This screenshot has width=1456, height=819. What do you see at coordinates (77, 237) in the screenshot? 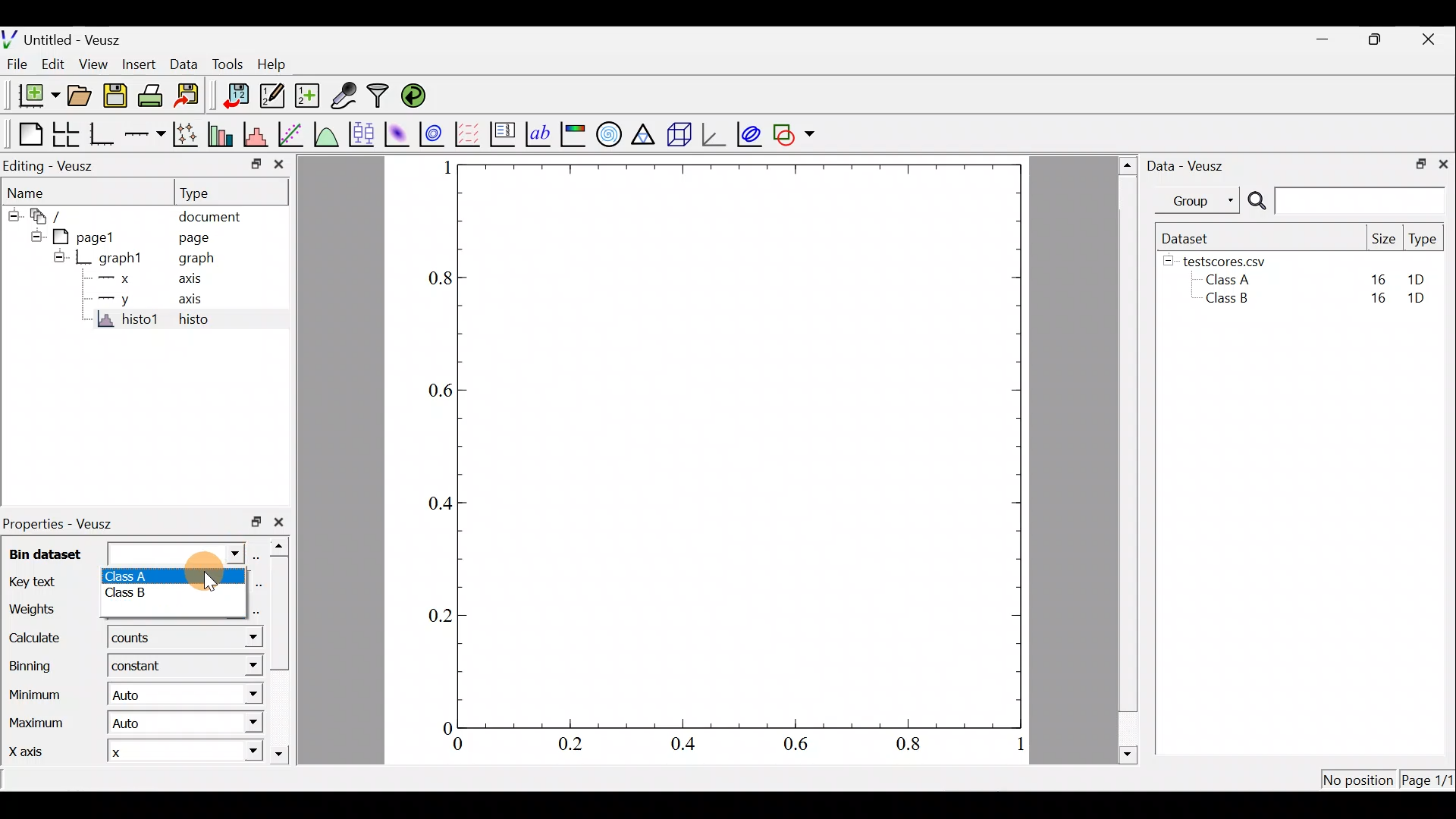
I see `page1` at bounding box center [77, 237].